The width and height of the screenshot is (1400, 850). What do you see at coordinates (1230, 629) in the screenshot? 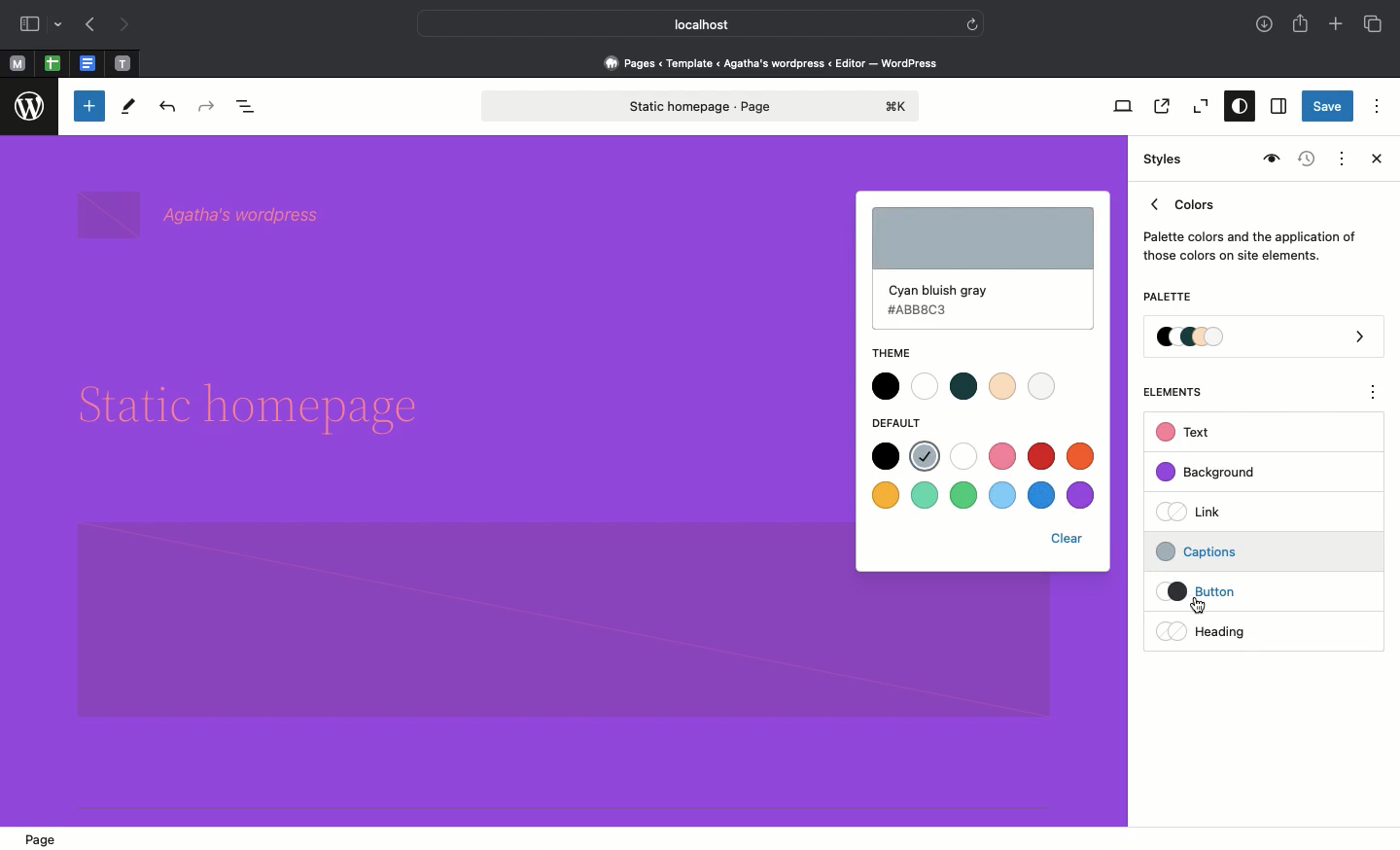
I see `Headings` at bounding box center [1230, 629].